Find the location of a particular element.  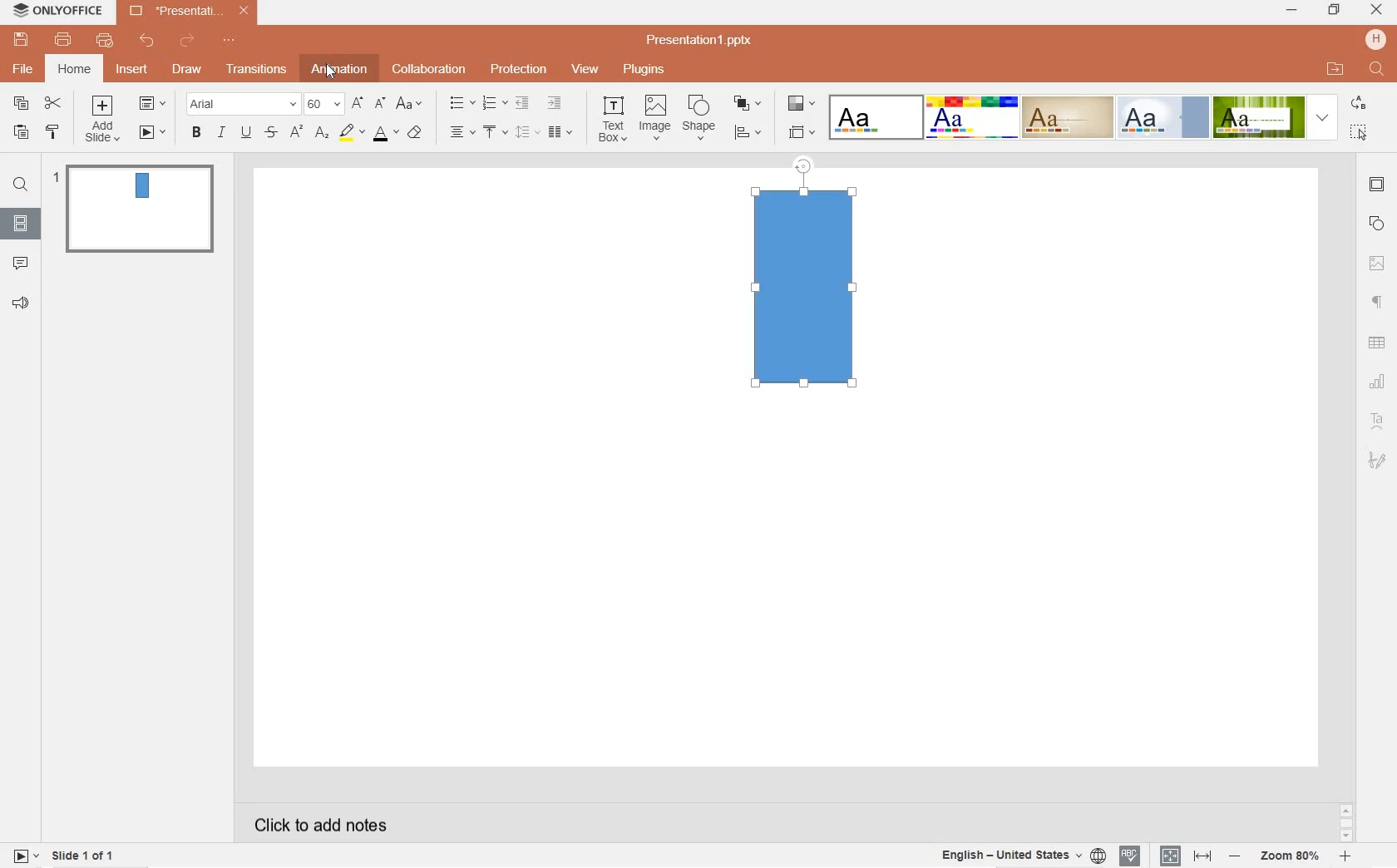

paste is located at coordinates (18, 133).